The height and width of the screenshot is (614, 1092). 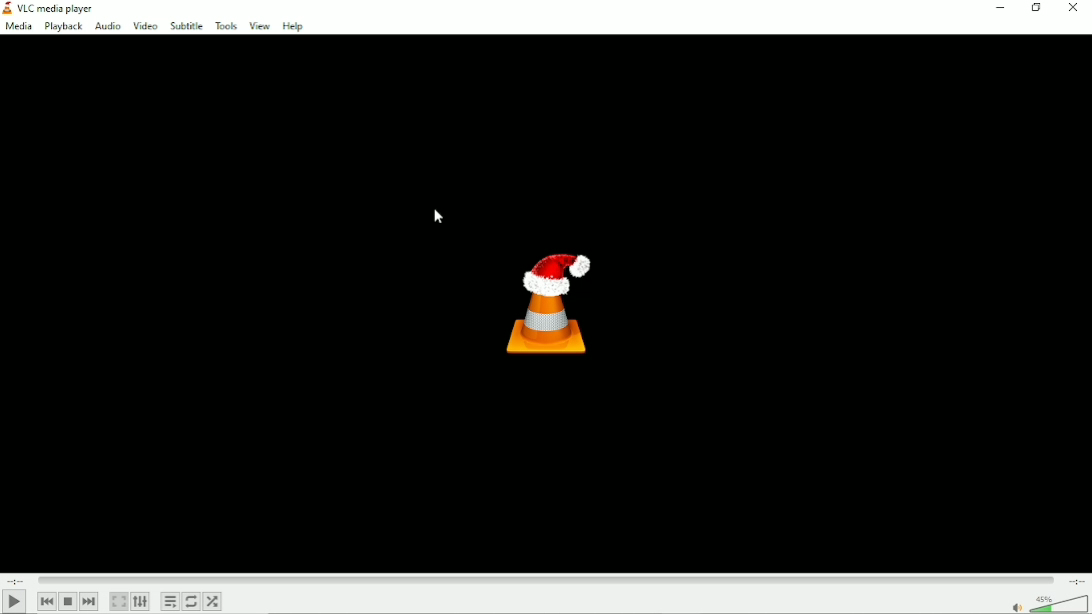 What do you see at coordinates (226, 25) in the screenshot?
I see `Tools` at bounding box center [226, 25].